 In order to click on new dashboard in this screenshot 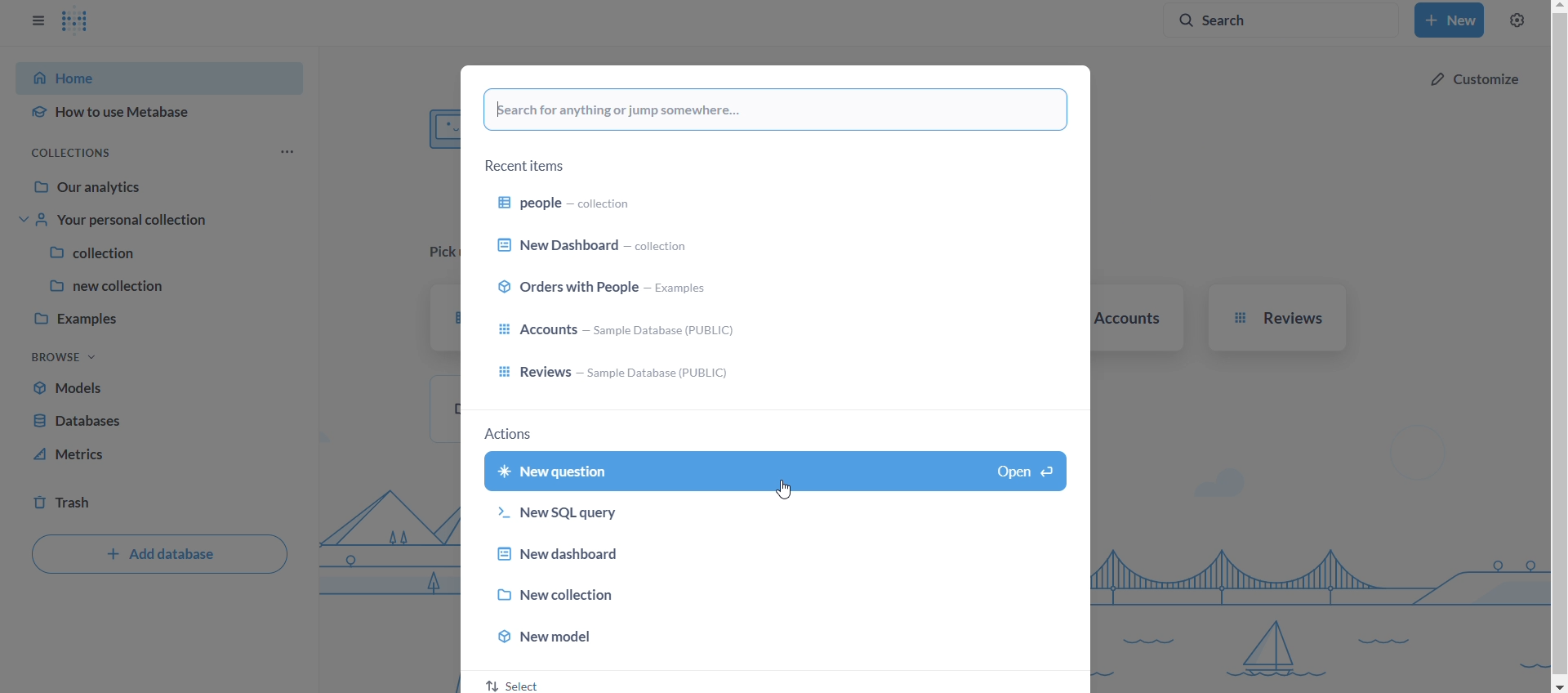, I will do `click(608, 248)`.